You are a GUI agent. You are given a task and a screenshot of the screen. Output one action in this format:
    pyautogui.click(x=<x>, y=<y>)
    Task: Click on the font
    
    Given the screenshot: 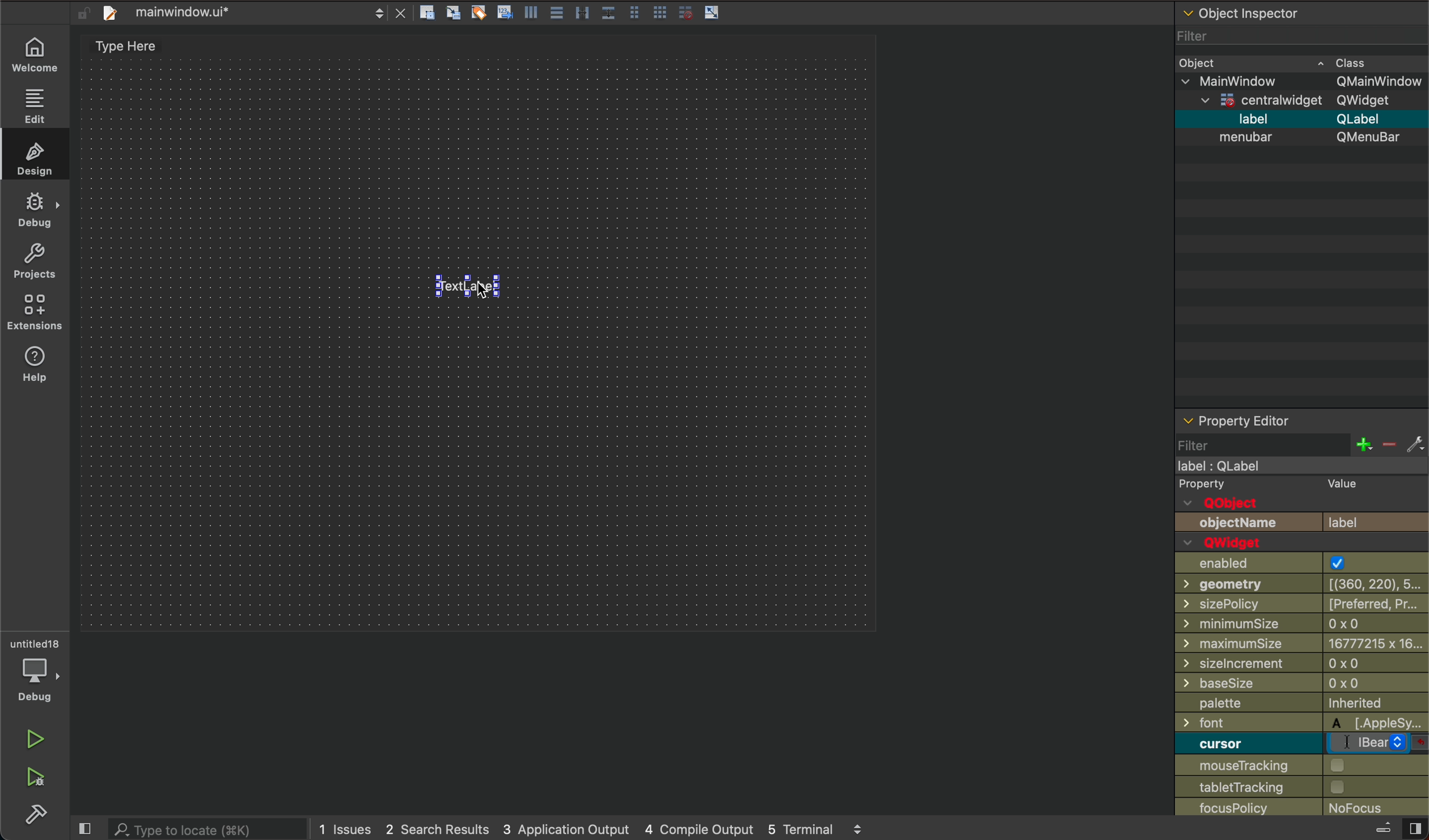 What is the action you would take?
    pyautogui.click(x=1211, y=722)
    